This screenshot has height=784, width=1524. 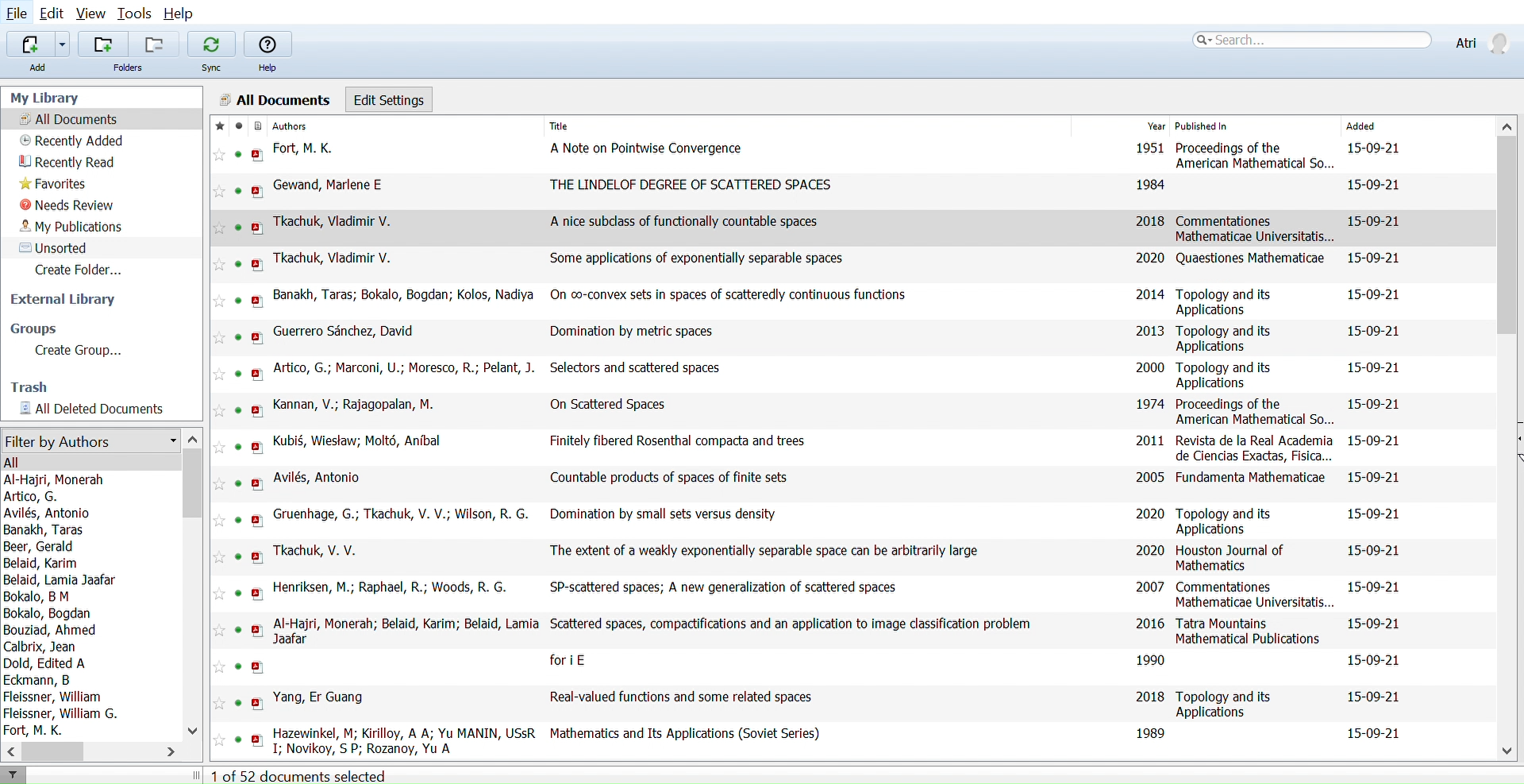 I want to click on Add this reference to favorites, so click(x=220, y=228).